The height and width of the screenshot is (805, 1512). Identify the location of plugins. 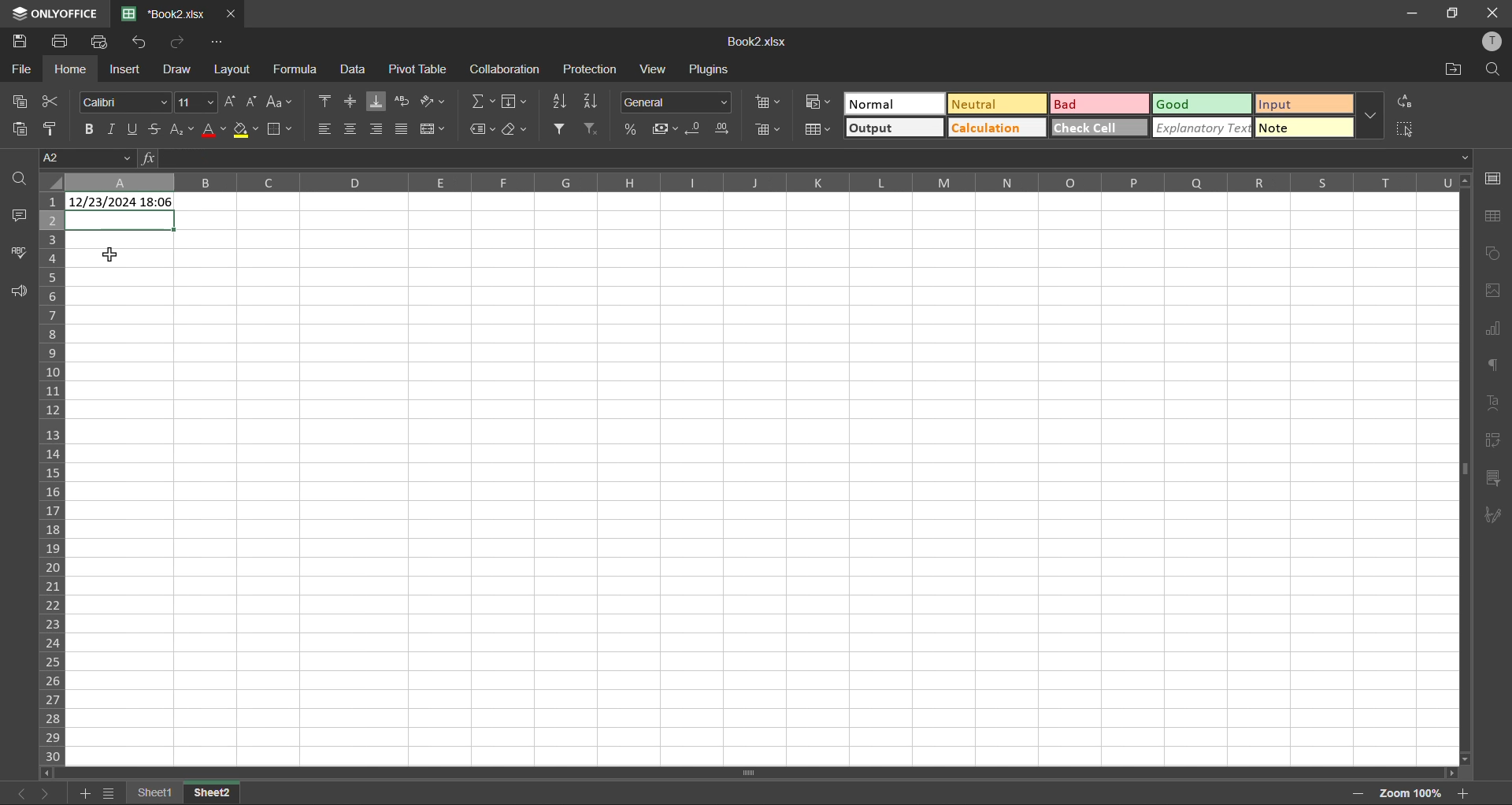
(713, 72).